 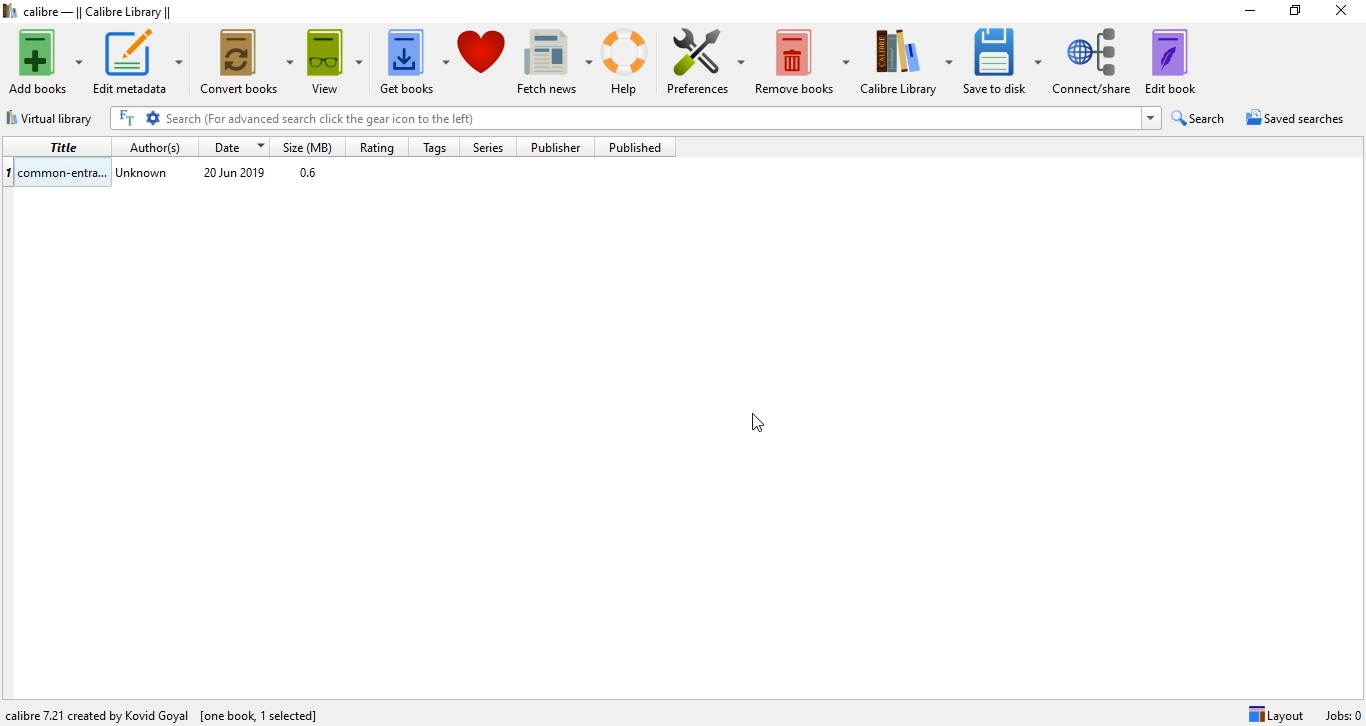 I want to click on , so click(x=1003, y=59).